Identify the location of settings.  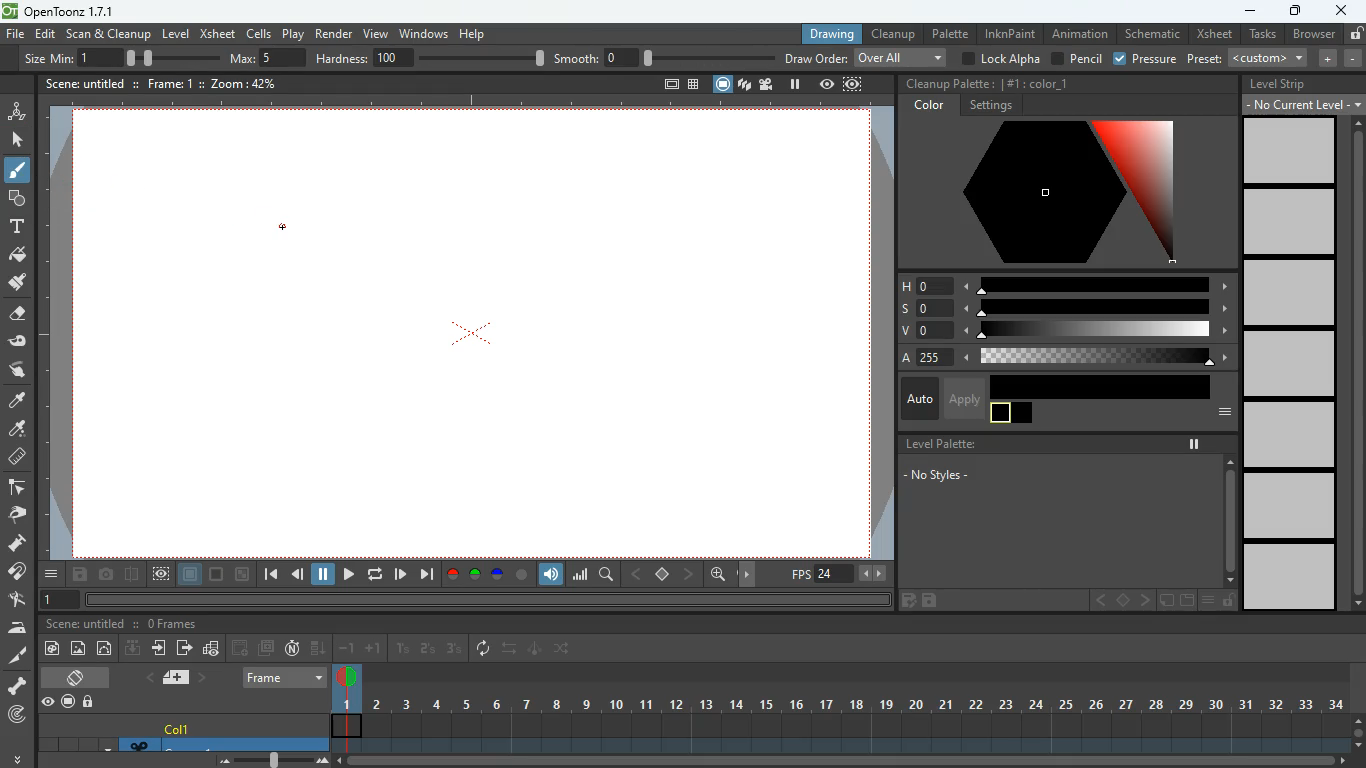
(990, 106).